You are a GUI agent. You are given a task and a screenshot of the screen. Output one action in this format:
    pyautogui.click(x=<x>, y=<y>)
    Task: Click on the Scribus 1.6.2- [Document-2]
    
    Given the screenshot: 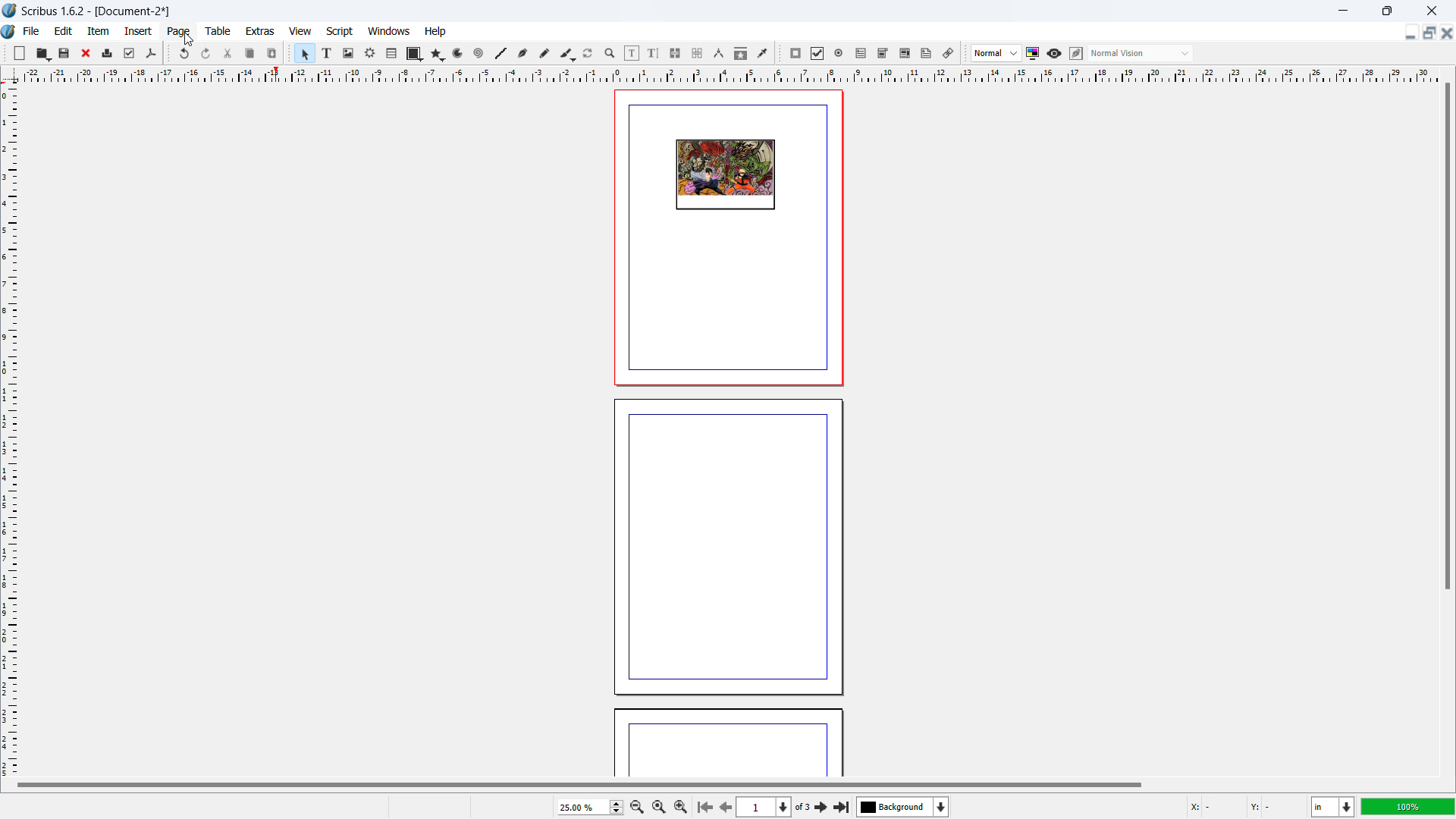 What is the action you would take?
    pyautogui.click(x=98, y=11)
    